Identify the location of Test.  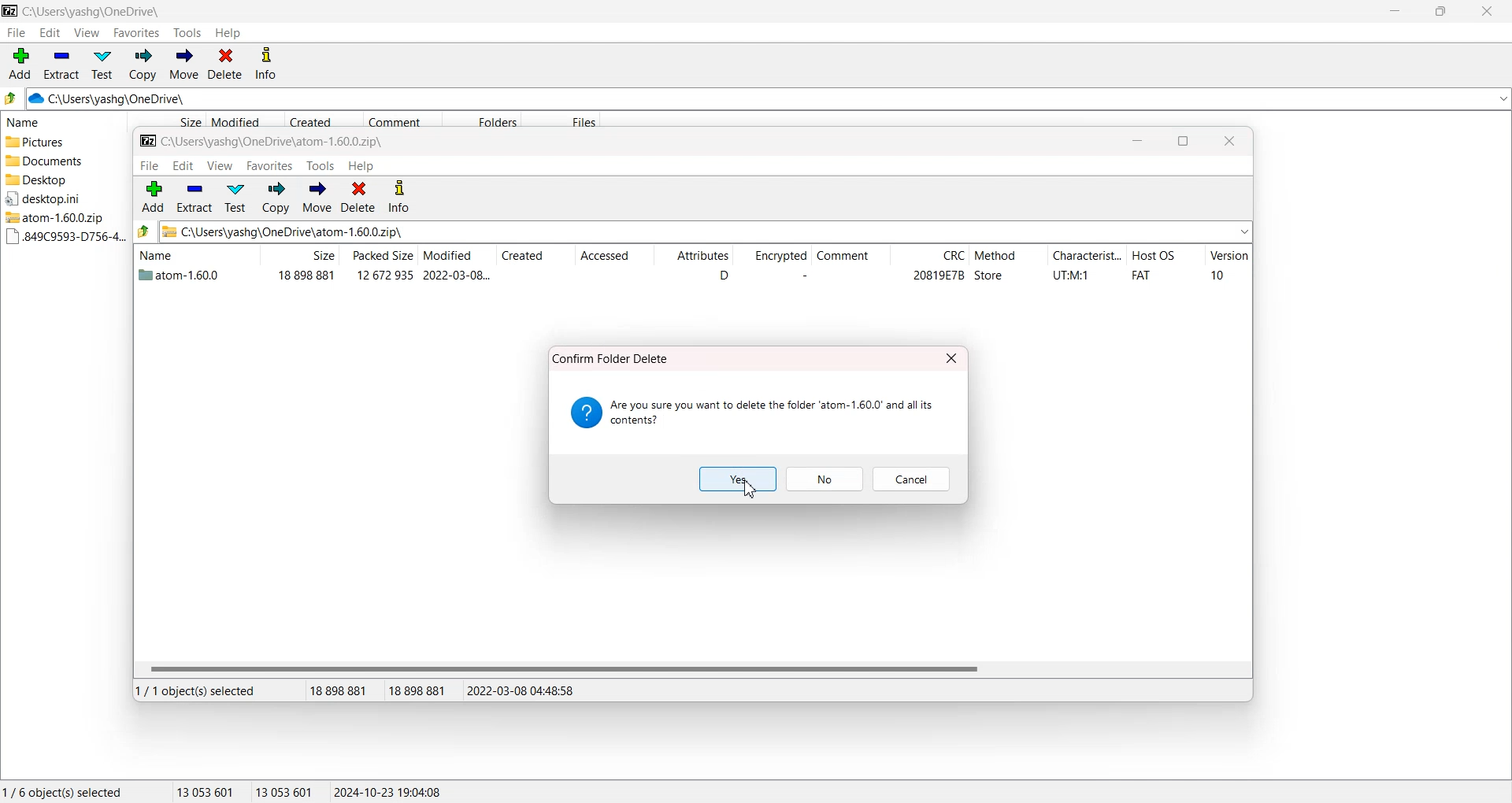
(102, 65).